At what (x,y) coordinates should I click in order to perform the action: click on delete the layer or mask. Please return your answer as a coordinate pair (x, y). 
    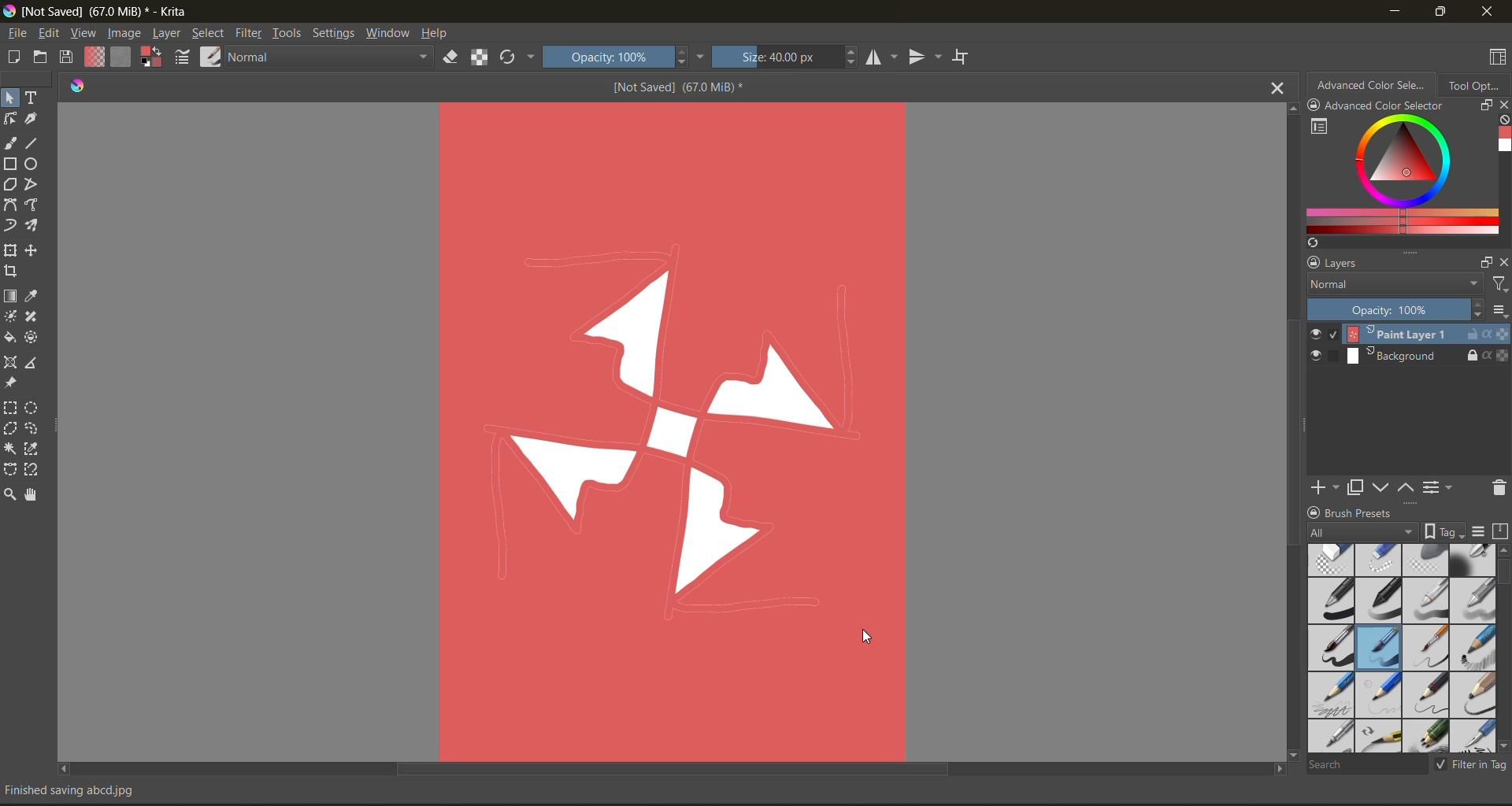
    Looking at the image, I should click on (1494, 490).